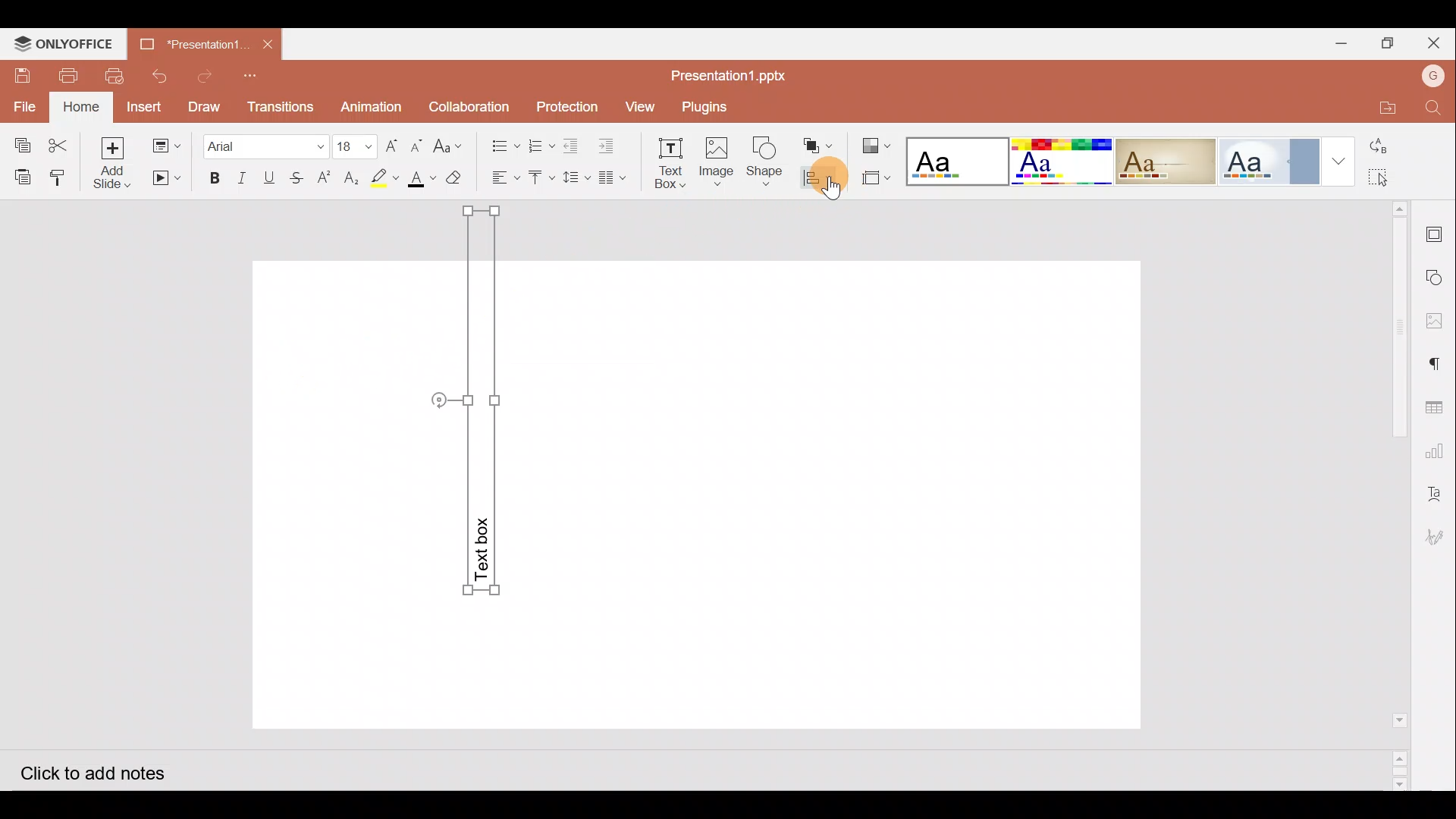 The height and width of the screenshot is (819, 1456). Describe the element at coordinates (1437, 44) in the screenshot. I see `Close` at that location.